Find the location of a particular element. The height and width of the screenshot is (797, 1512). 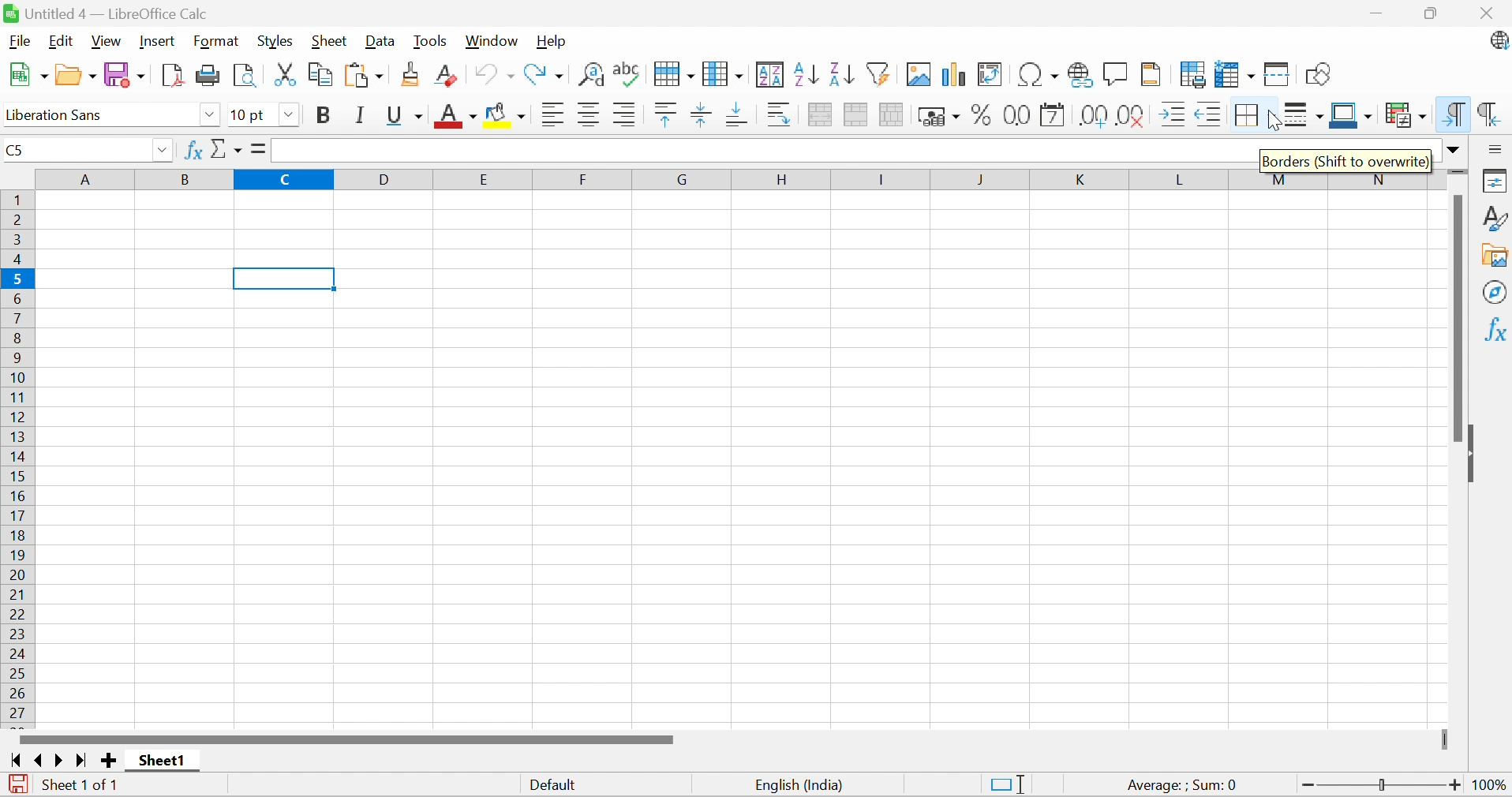

Hide is located at coordinates (1472, 456).